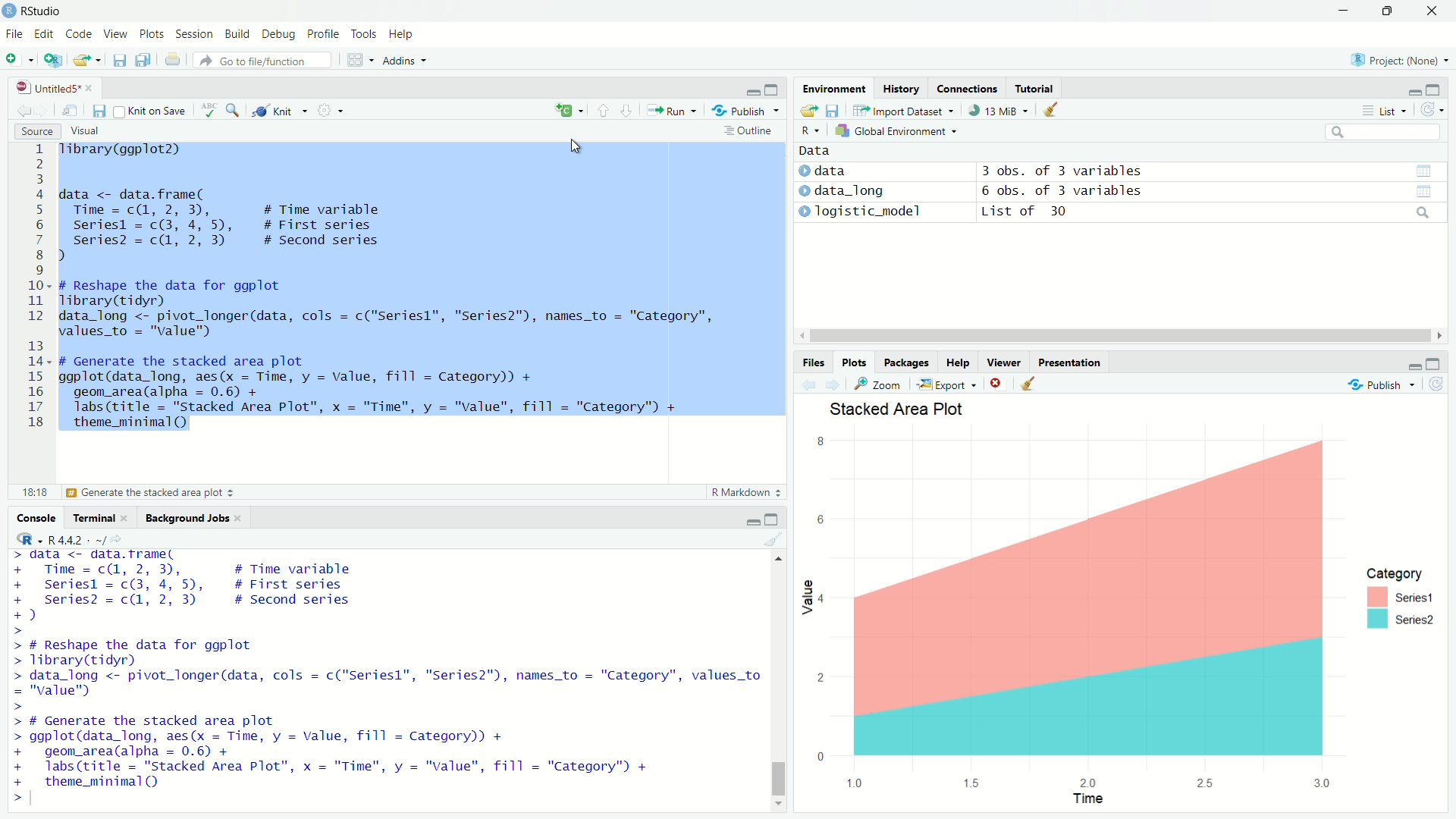  Describe the element at coordinates (188, 519) in the screenshot. I see `Background Jobs` at that location.